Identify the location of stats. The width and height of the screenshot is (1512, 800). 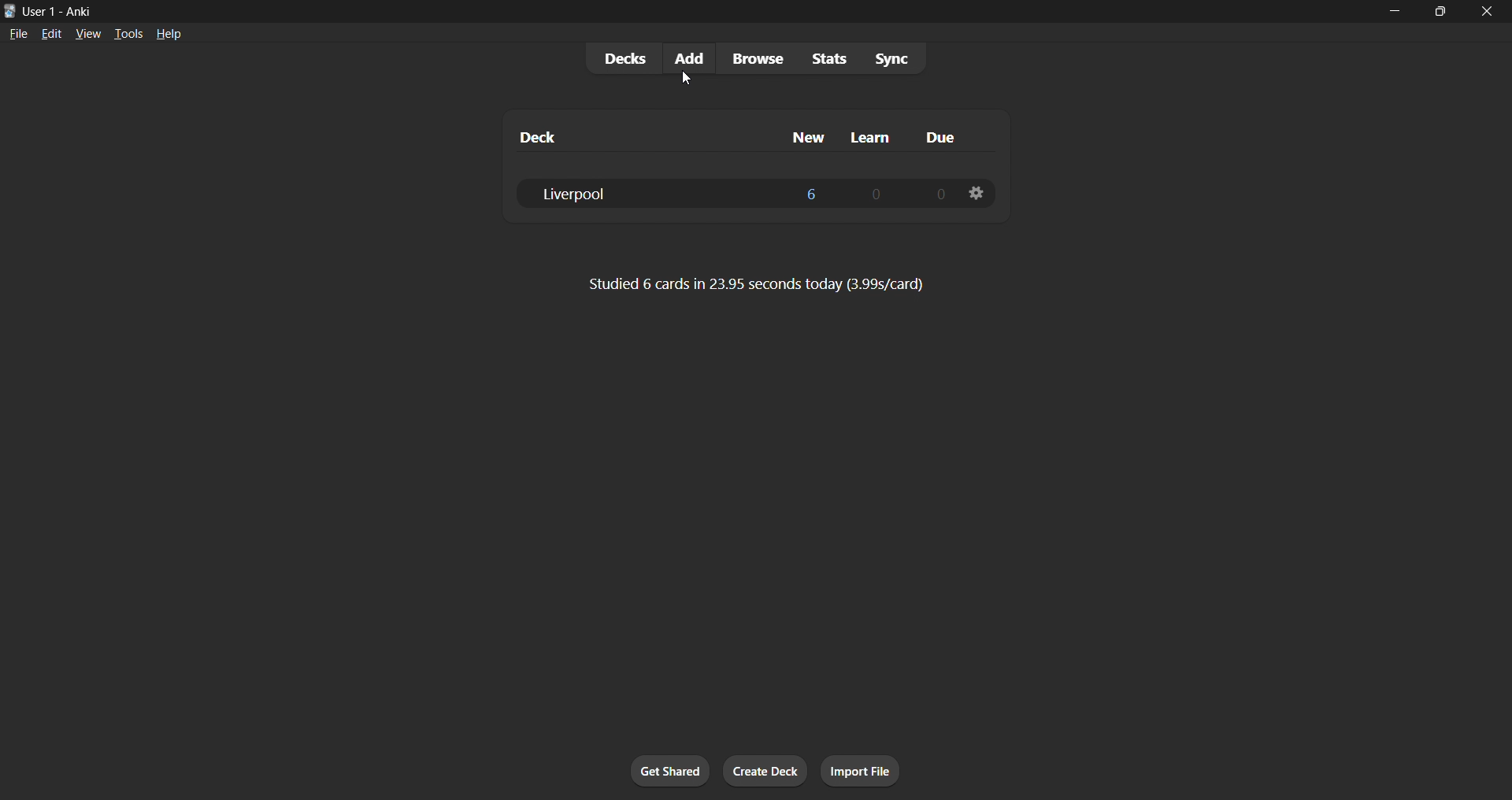
(828, 58).